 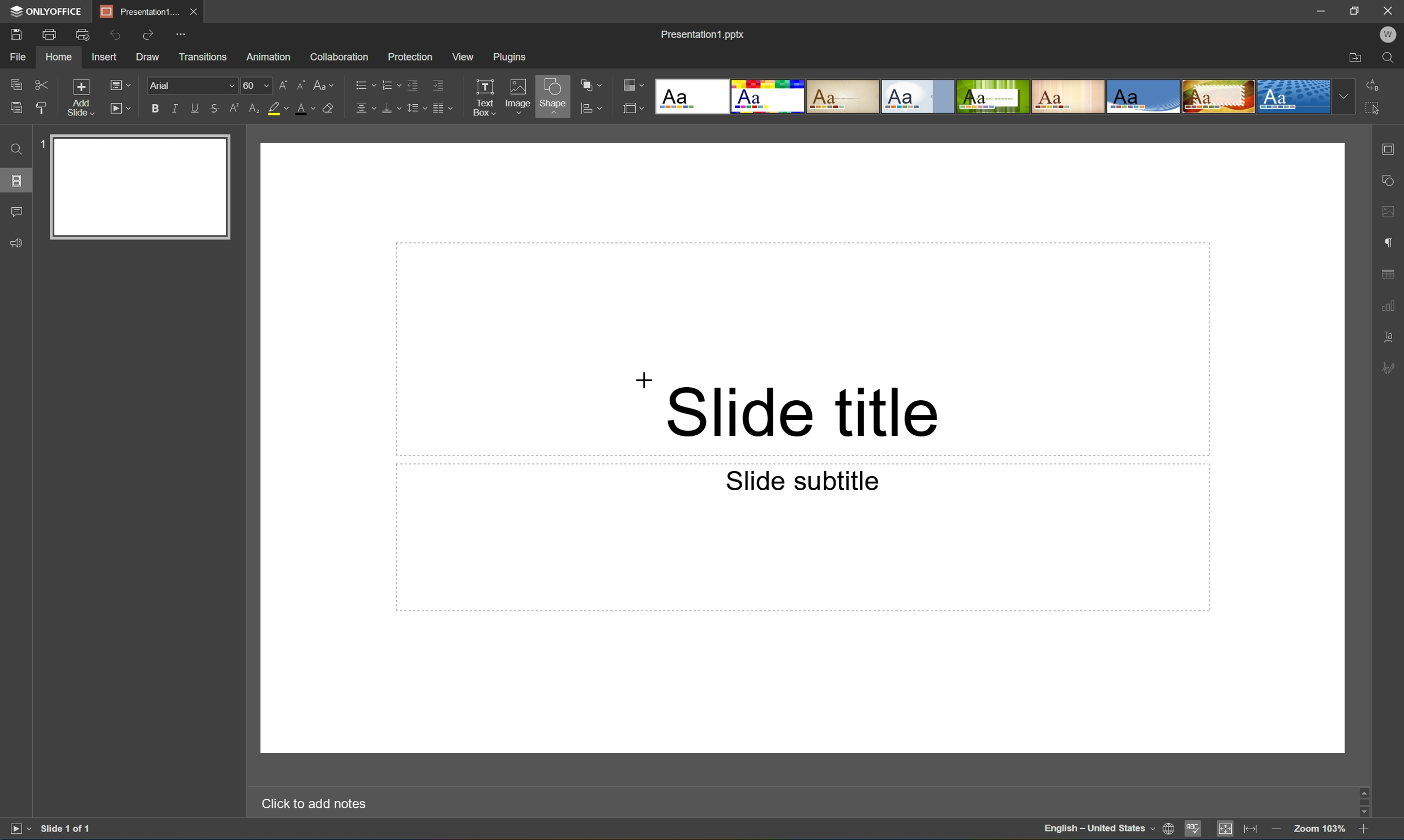 I want to click on Strikethrough, so click(x=214, y=110).